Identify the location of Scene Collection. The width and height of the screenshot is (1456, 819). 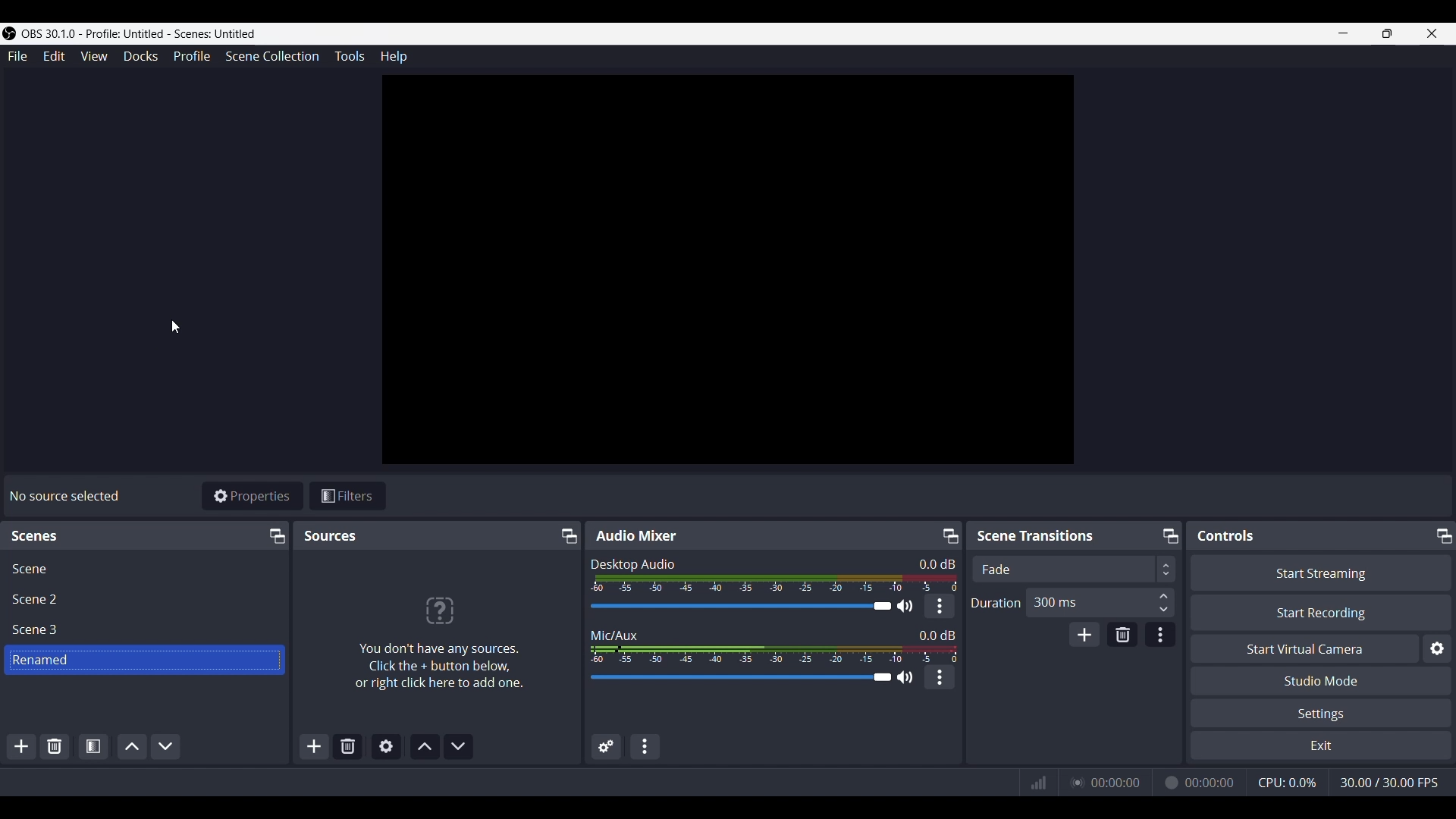
(273, 55).